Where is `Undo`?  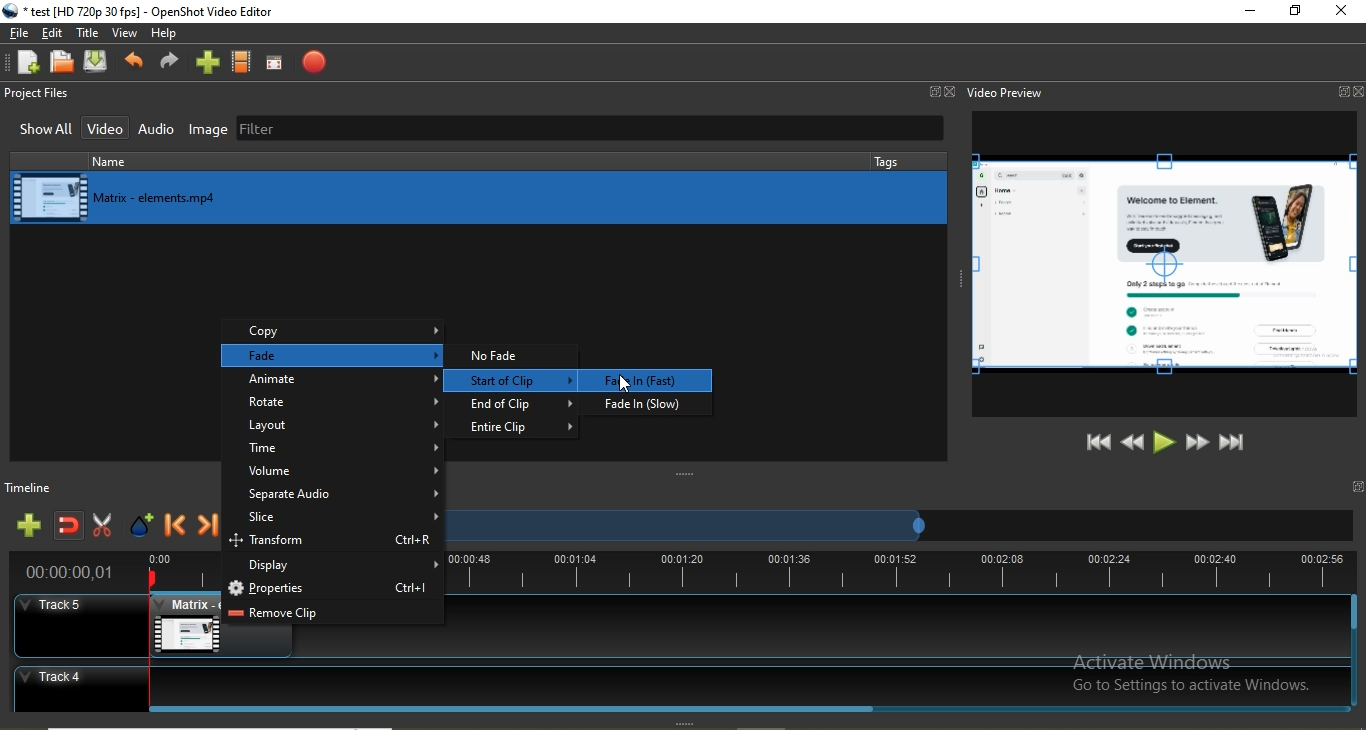 Undo is located at coordinates (136, 63).